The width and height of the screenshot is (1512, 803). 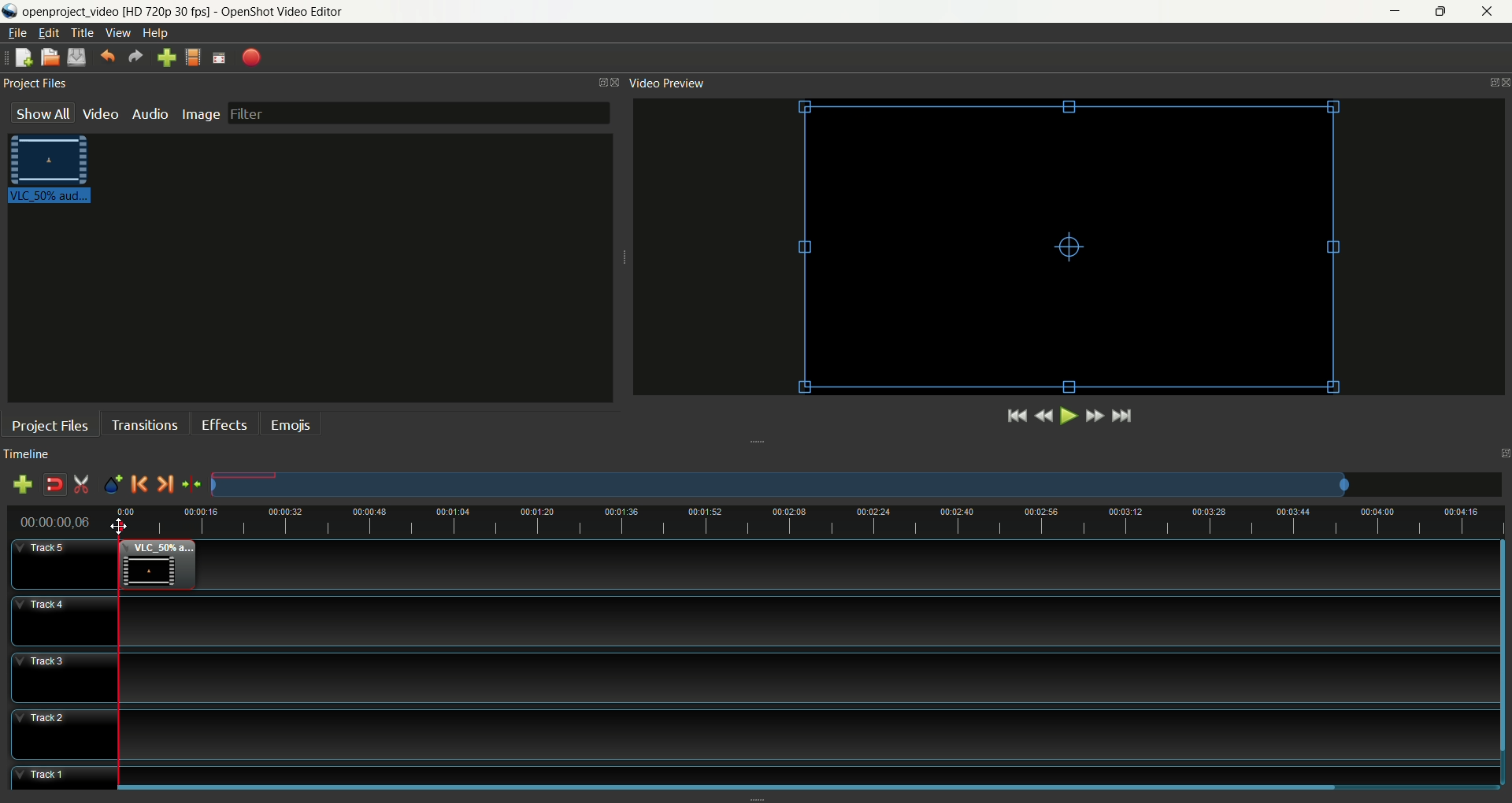 I want to click on undo, so click(x=107, y=54).